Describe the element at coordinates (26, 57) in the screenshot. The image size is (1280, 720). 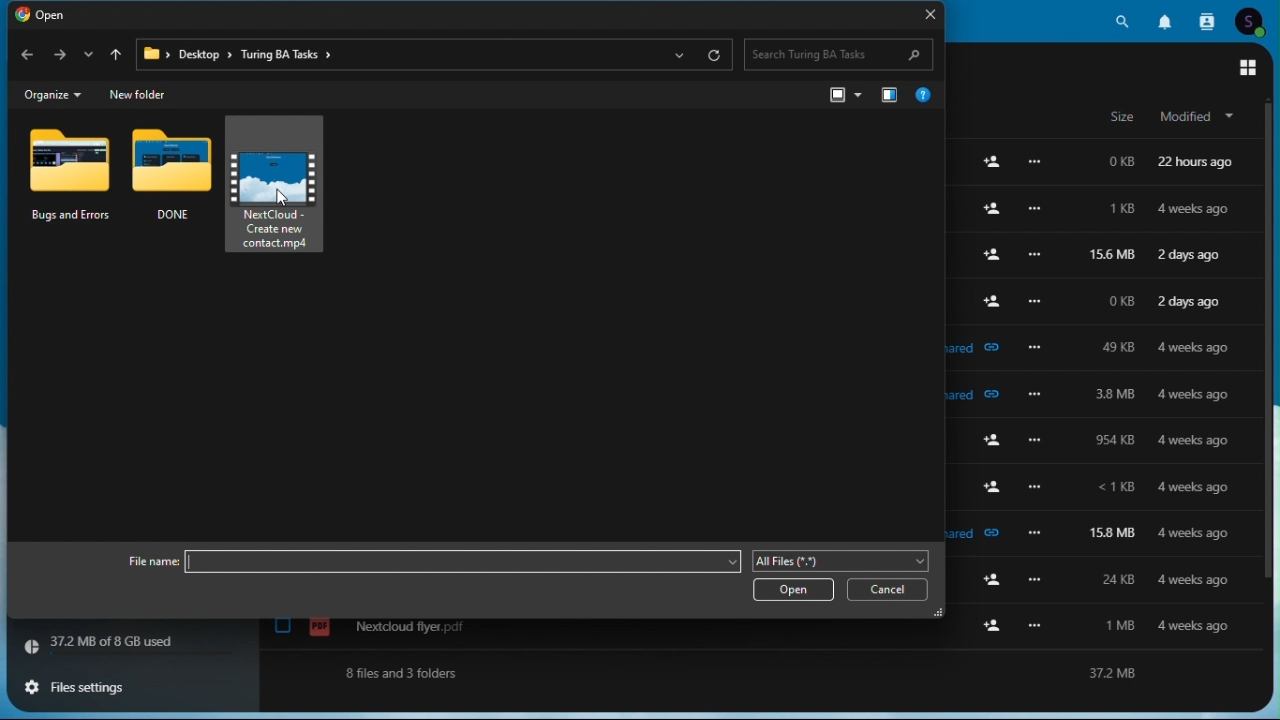
I see `back` at that location.